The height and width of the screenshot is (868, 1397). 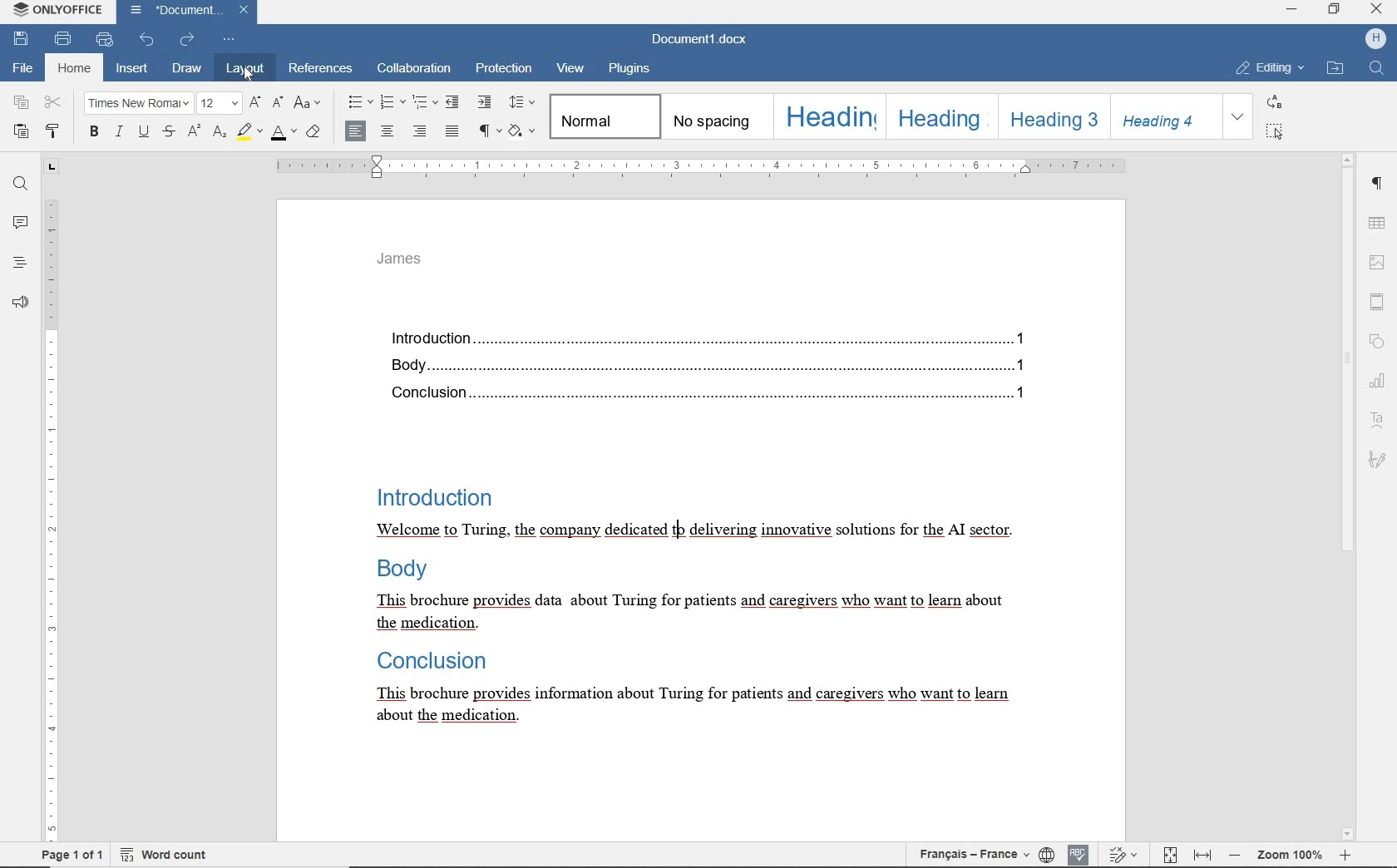 What do you see at coordinates (713, 116) in the screenshot?
I see `no spacing` at bounding box center [713, 116].